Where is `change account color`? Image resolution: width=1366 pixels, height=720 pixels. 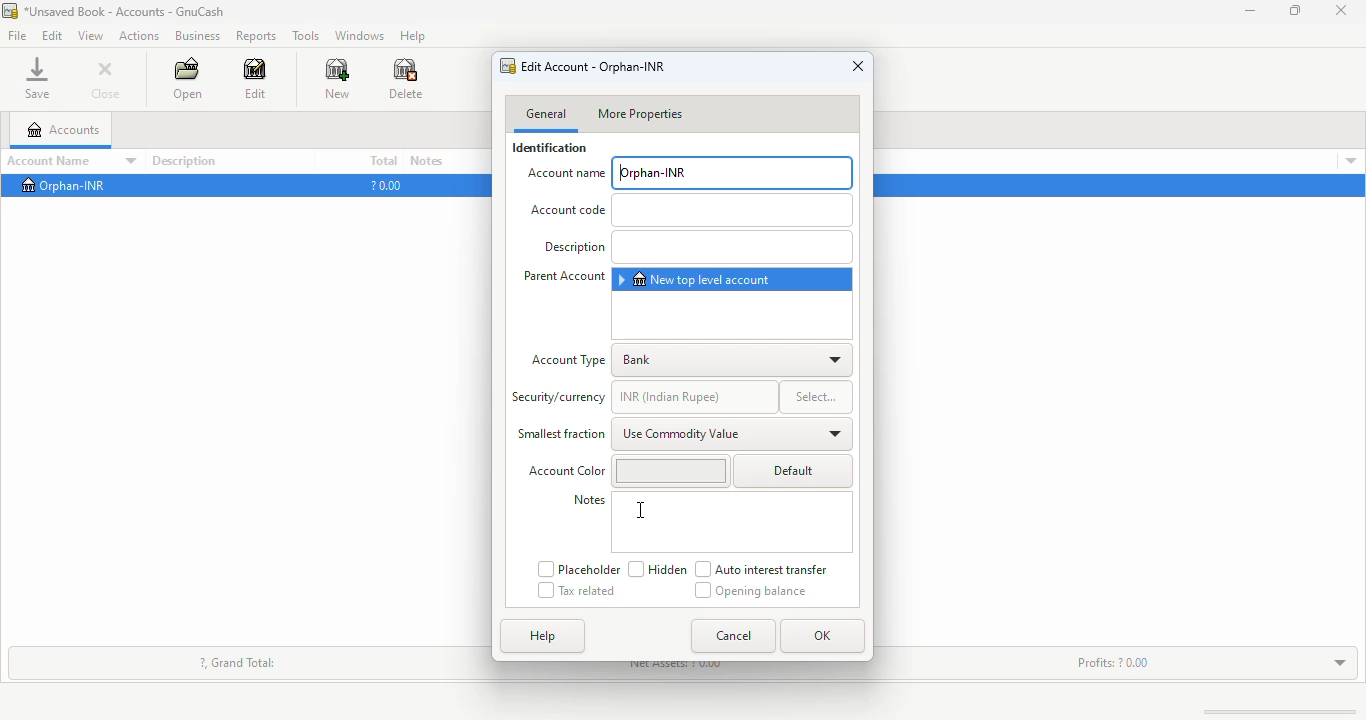 change account color is located at coordinates (668, 471).